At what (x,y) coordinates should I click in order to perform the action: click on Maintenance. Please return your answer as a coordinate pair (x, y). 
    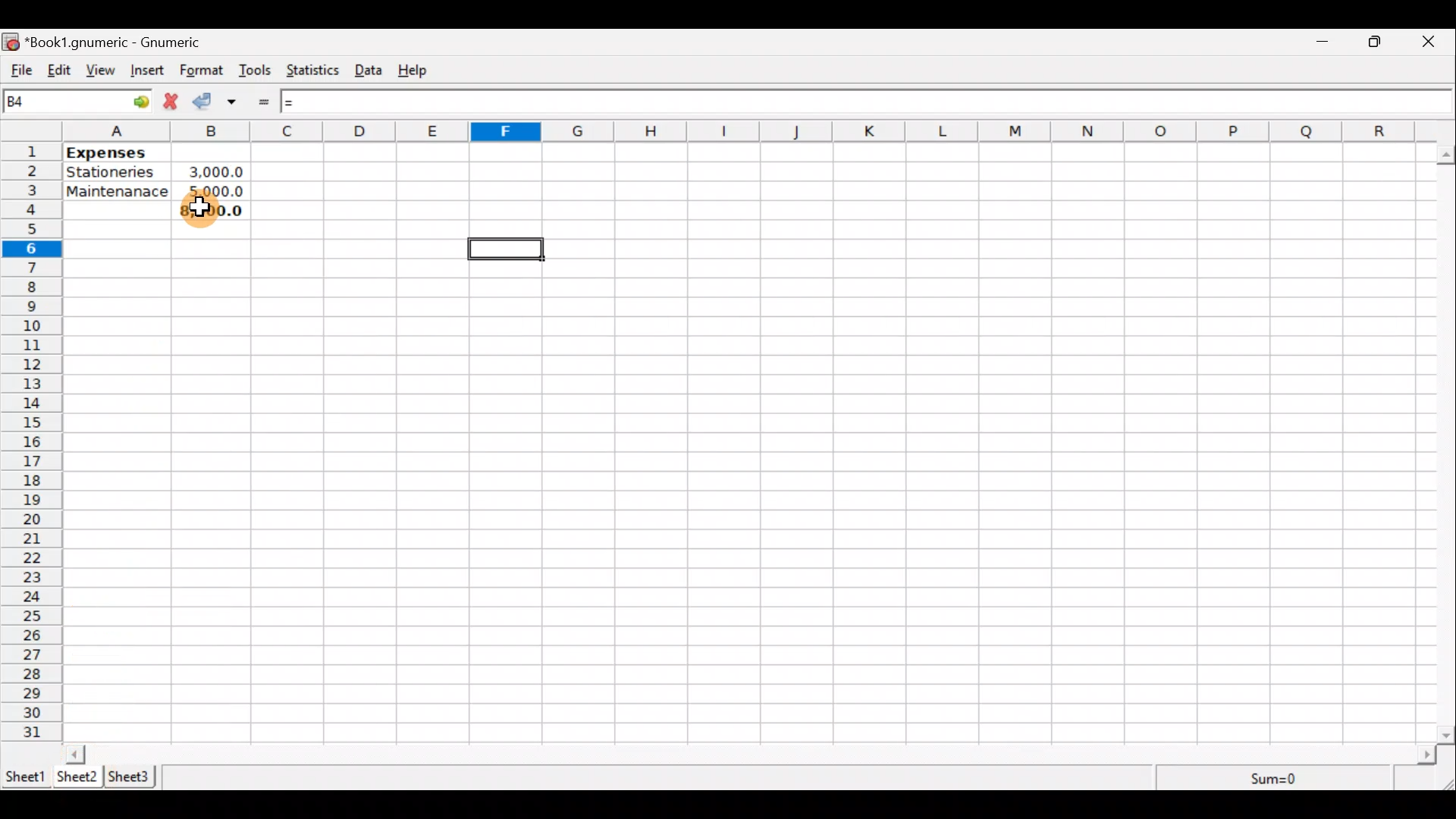
    Looking at the image, I should click on (118, 193).